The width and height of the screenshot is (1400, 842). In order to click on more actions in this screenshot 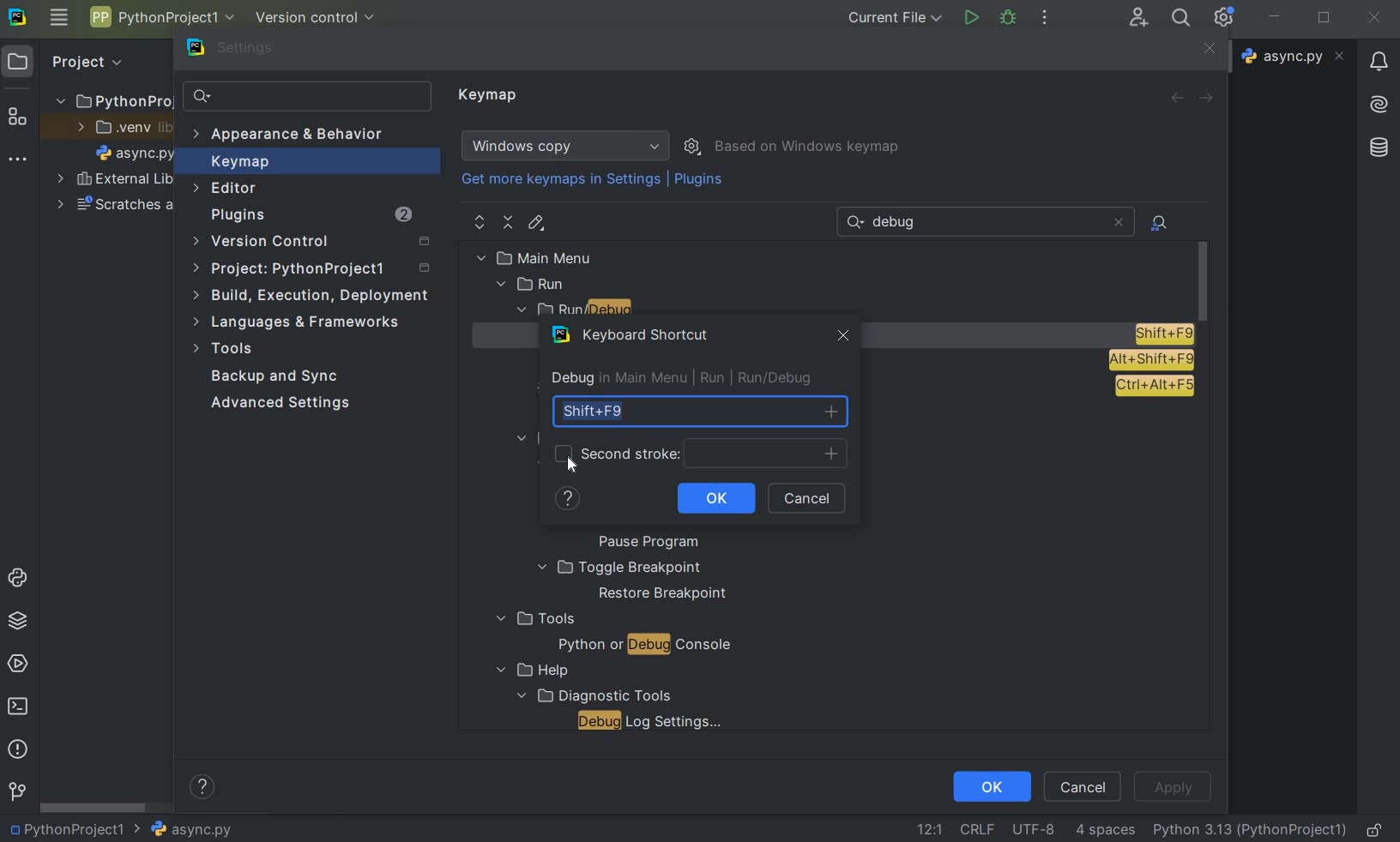, I will do `click(1044, 19)`.